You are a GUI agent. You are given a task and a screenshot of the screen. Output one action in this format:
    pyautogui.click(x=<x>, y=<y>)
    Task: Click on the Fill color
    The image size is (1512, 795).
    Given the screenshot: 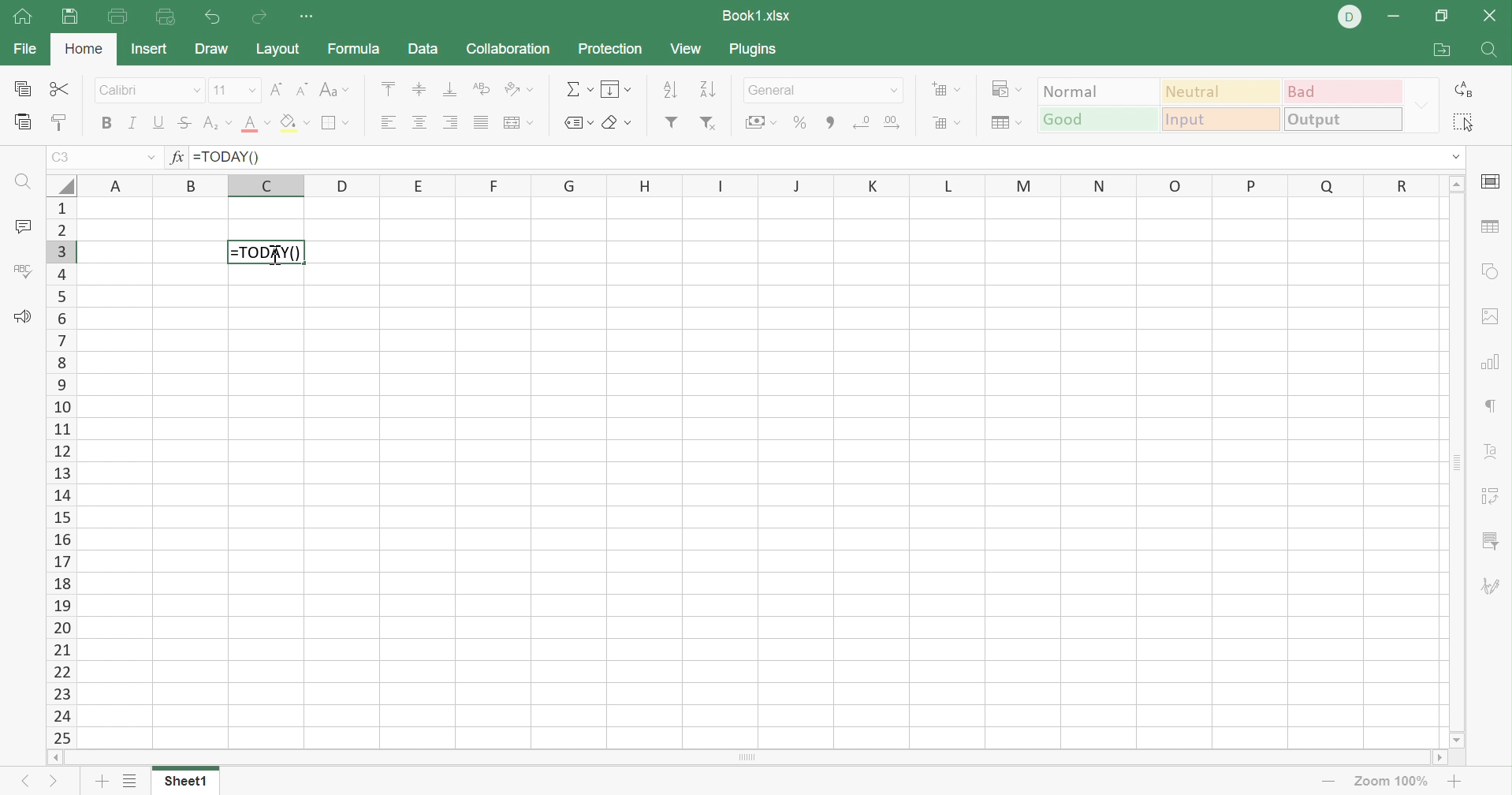 What is the action you would take?
    pyautogui.click(x=296, y=123)
    